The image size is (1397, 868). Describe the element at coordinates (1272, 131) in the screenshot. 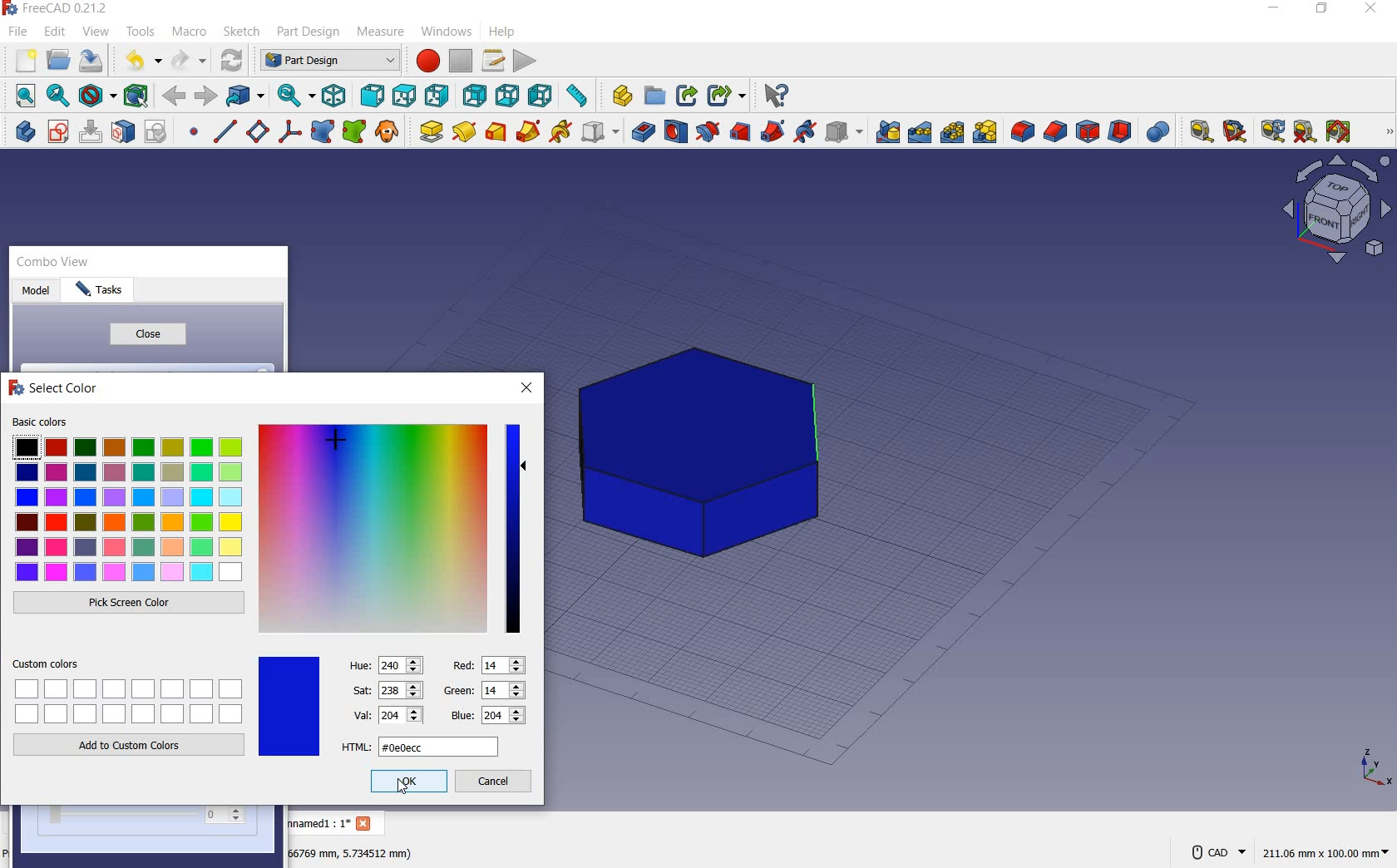

I see `refresh` at that location.